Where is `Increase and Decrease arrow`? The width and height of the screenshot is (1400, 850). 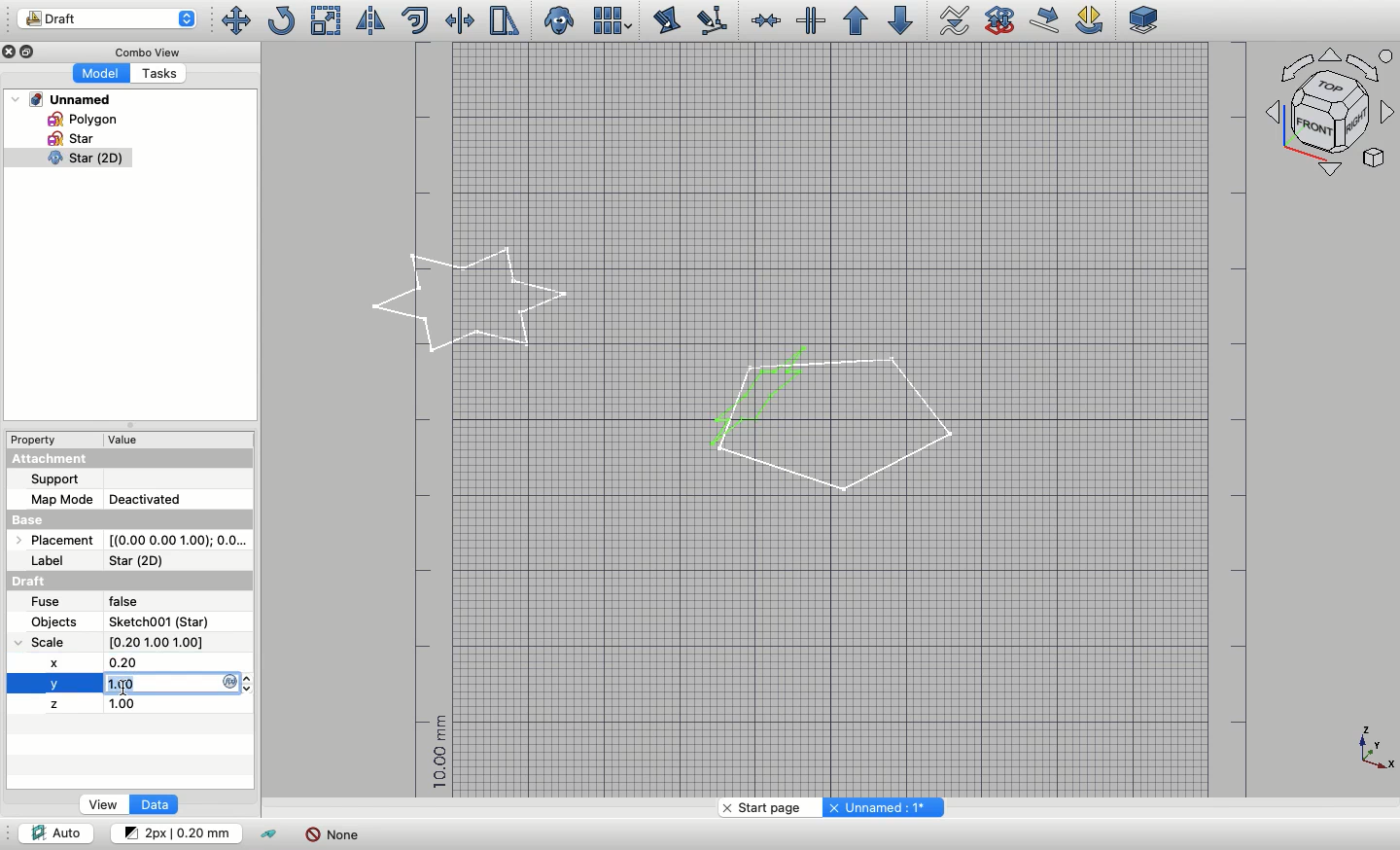
Increase and Decrease arrow is located at coordinates (250, 684).